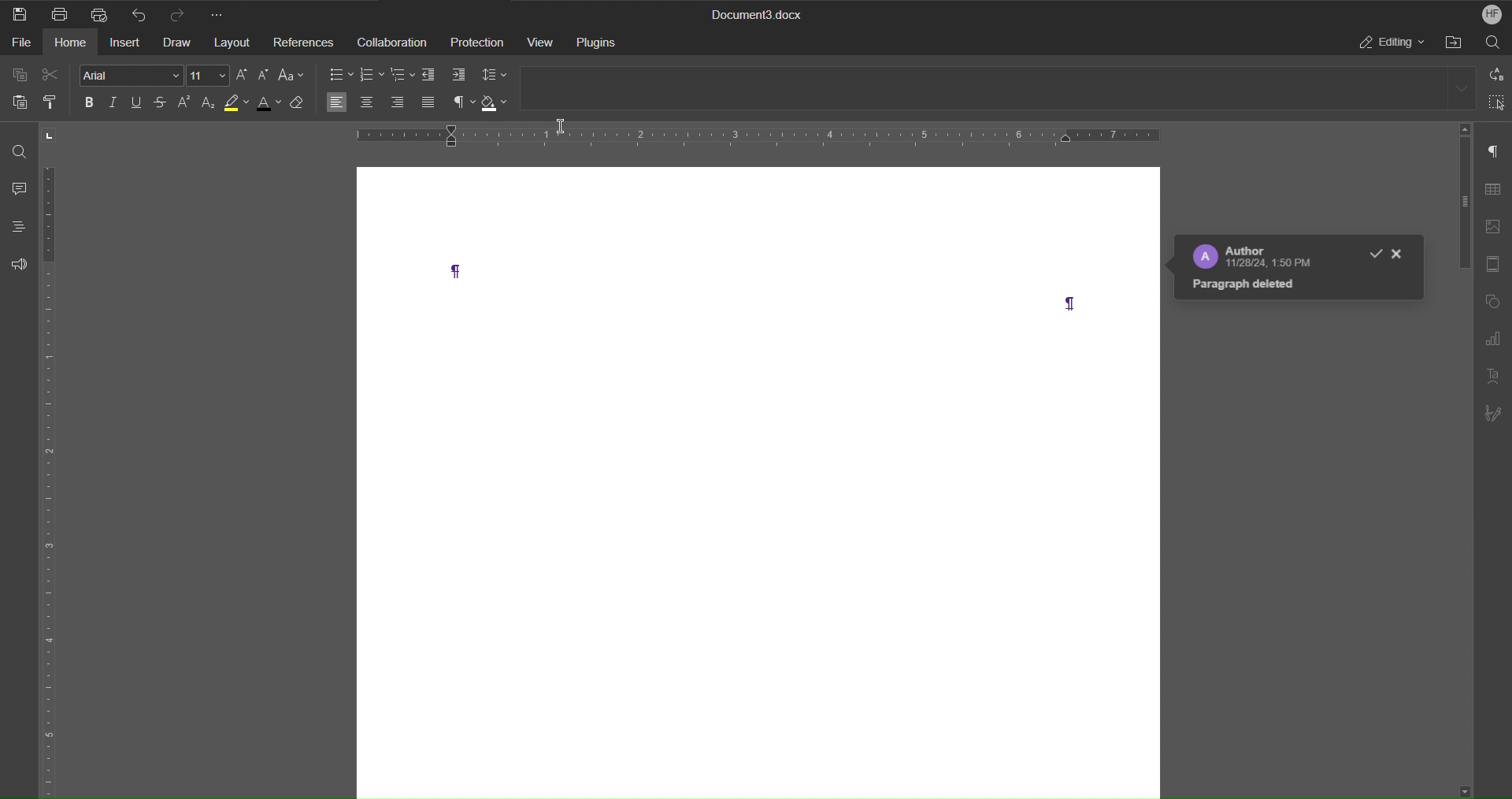  I want to click on Save, so click(19, 15).